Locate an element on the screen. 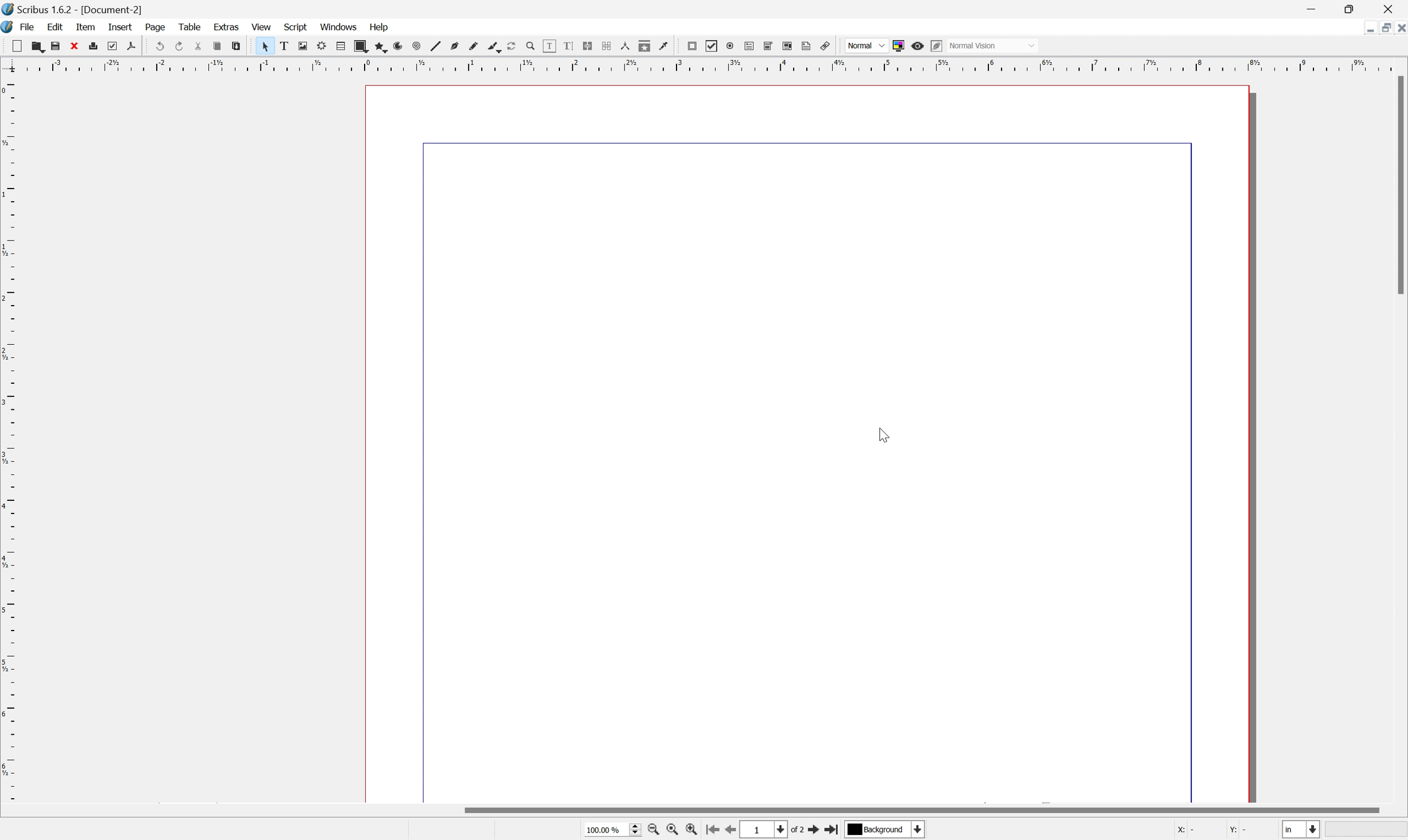  link annotation is located at coordinates (828, 45).